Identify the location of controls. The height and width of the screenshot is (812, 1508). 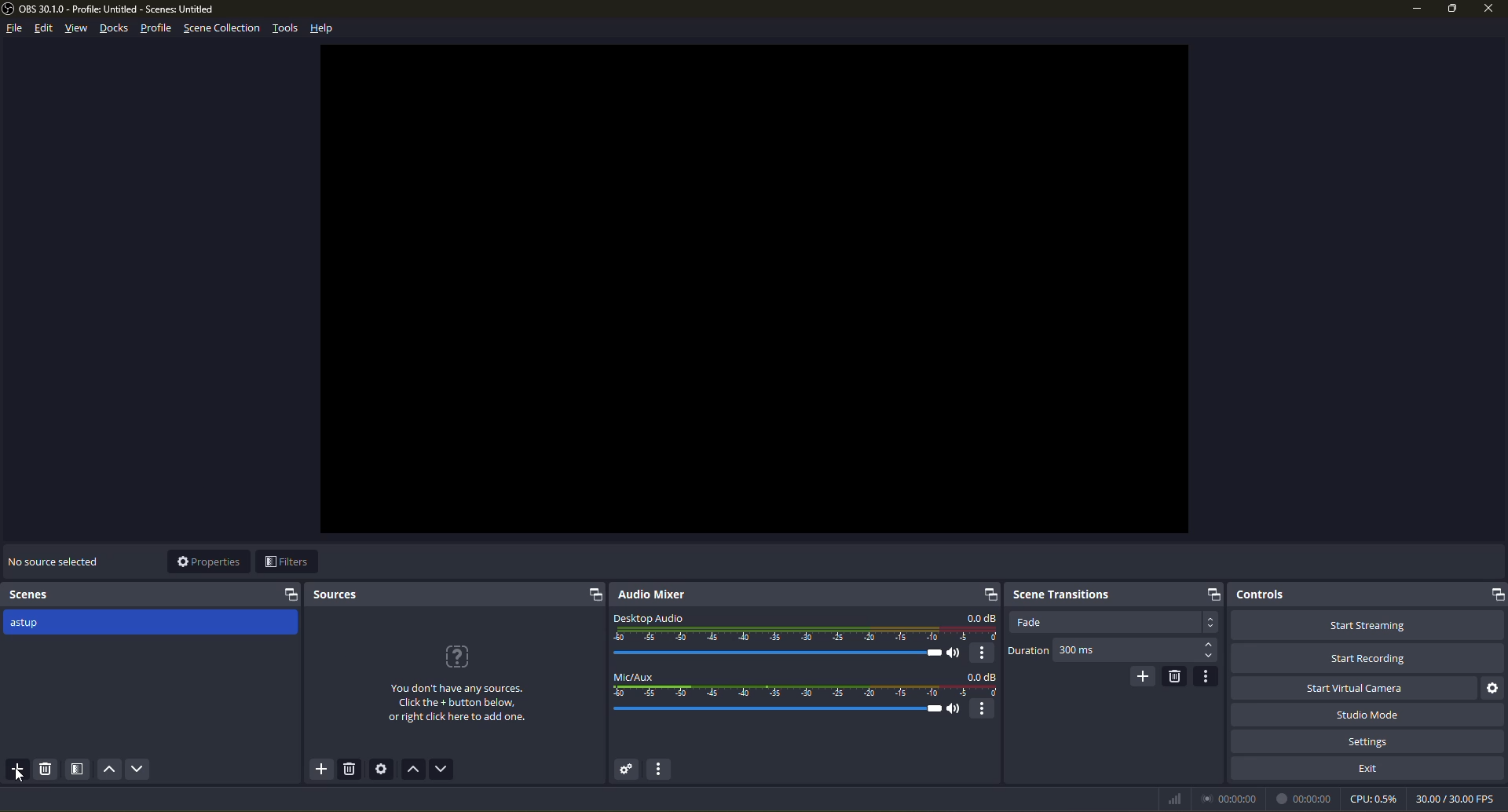
(1260, 594).